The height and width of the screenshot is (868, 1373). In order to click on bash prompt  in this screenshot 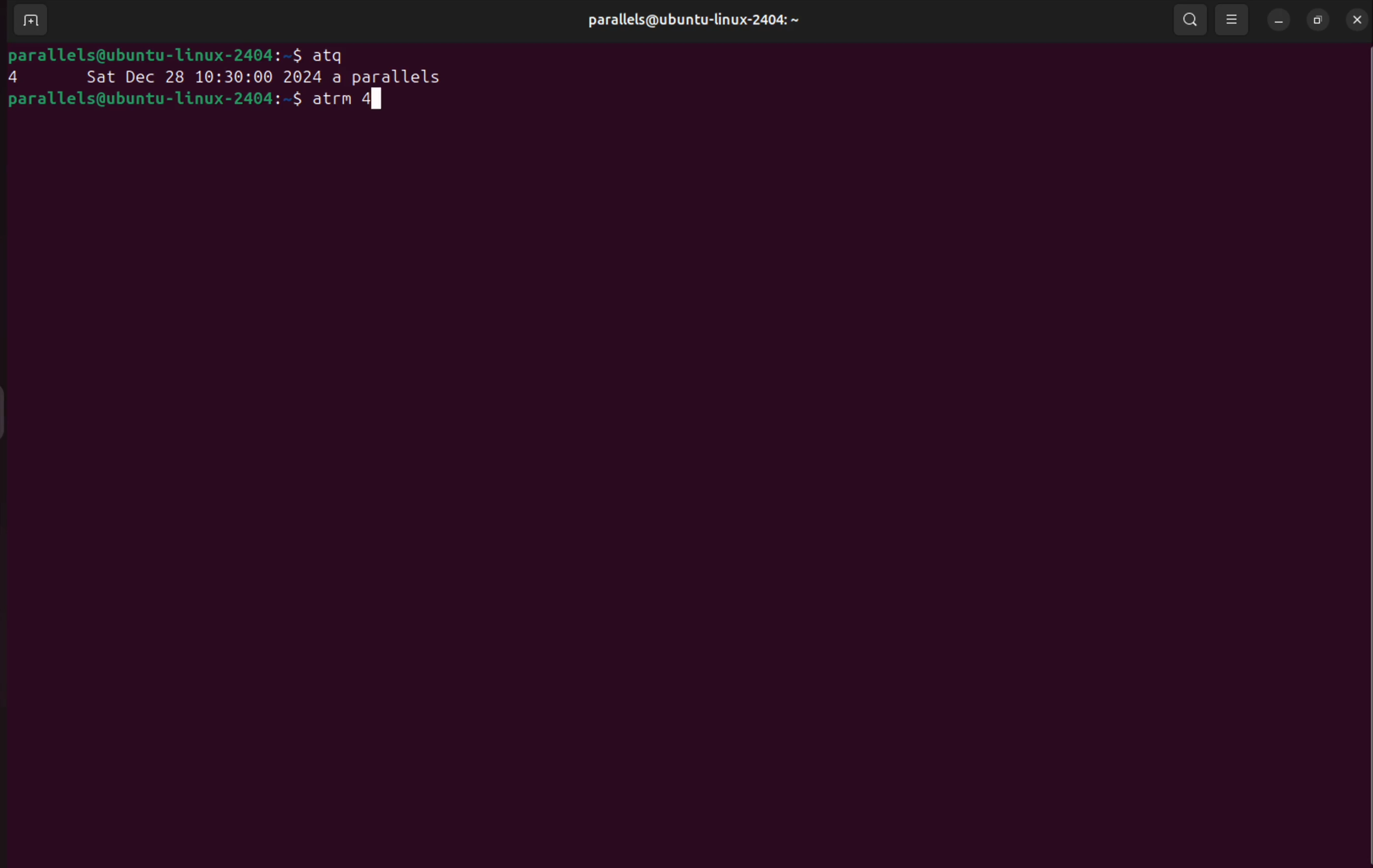, I will do `click(156, 100)`.